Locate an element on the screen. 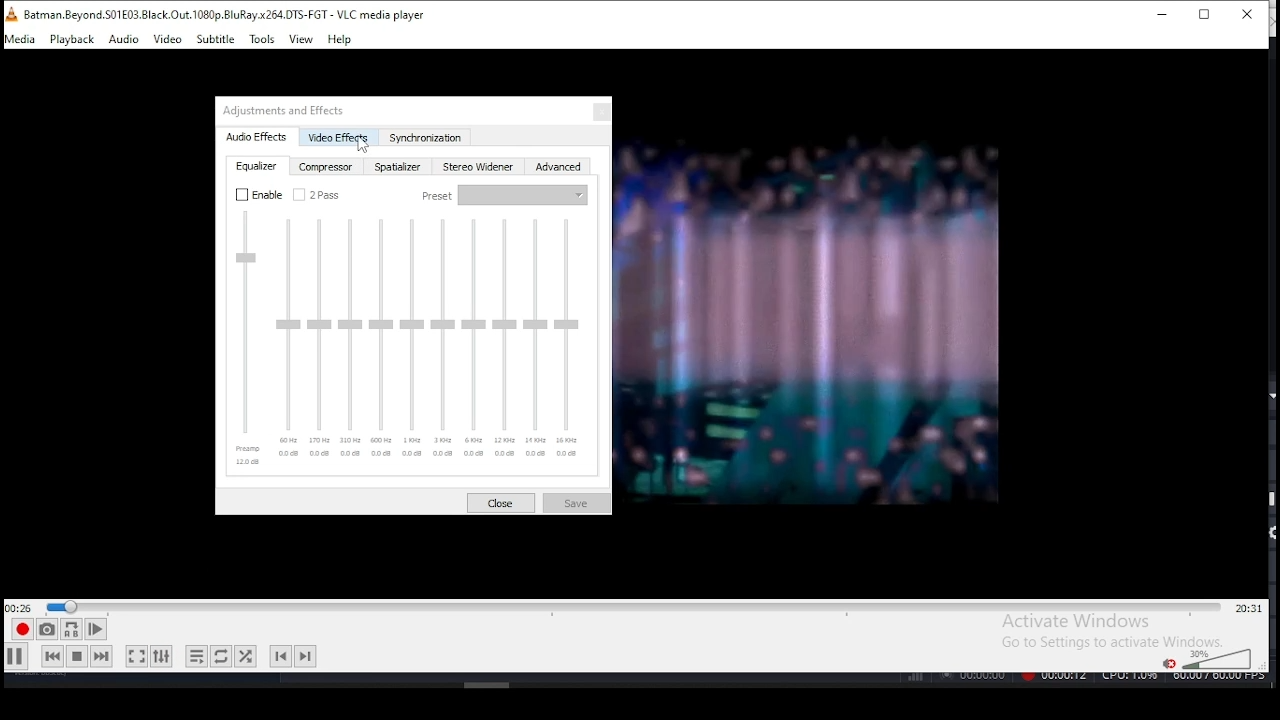  spatializer is located at coordinates (400, 166).